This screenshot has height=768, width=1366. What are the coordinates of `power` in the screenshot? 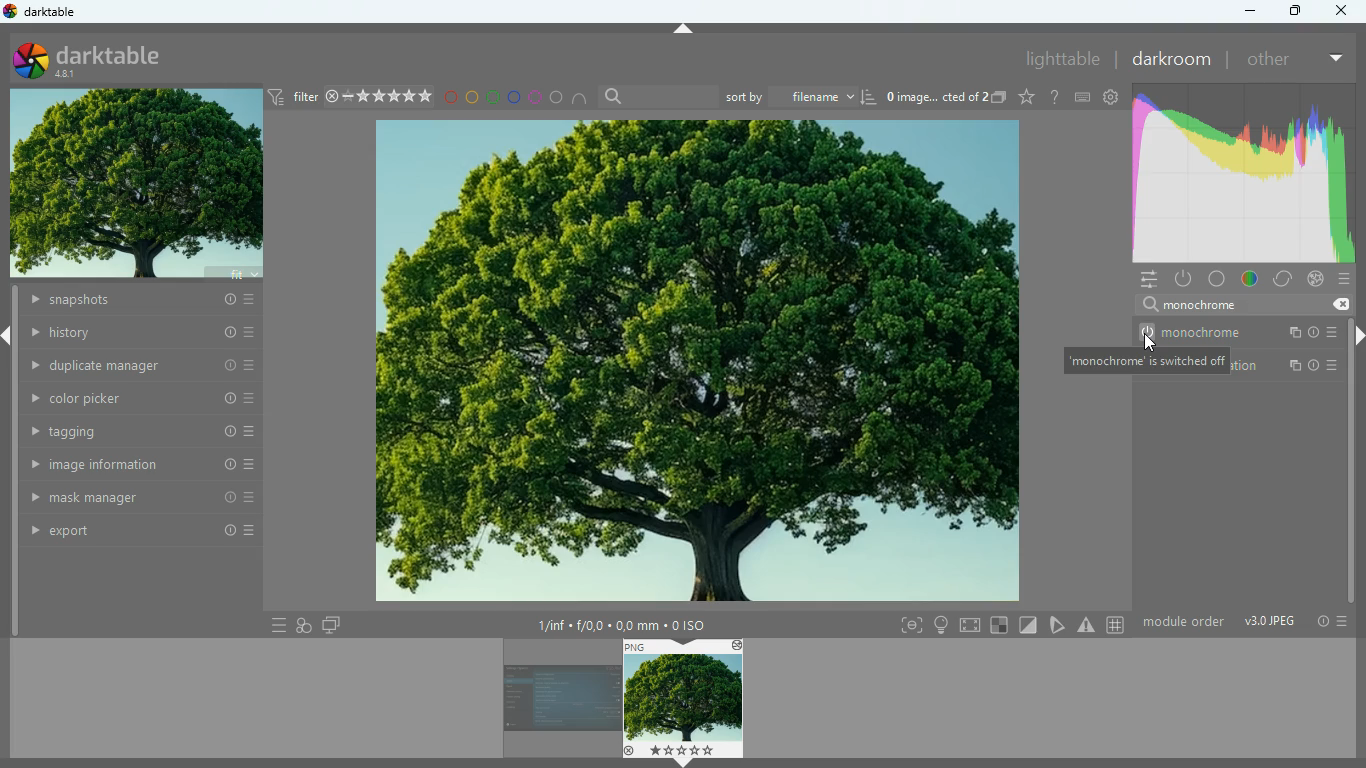 It's located at (1183, 278).